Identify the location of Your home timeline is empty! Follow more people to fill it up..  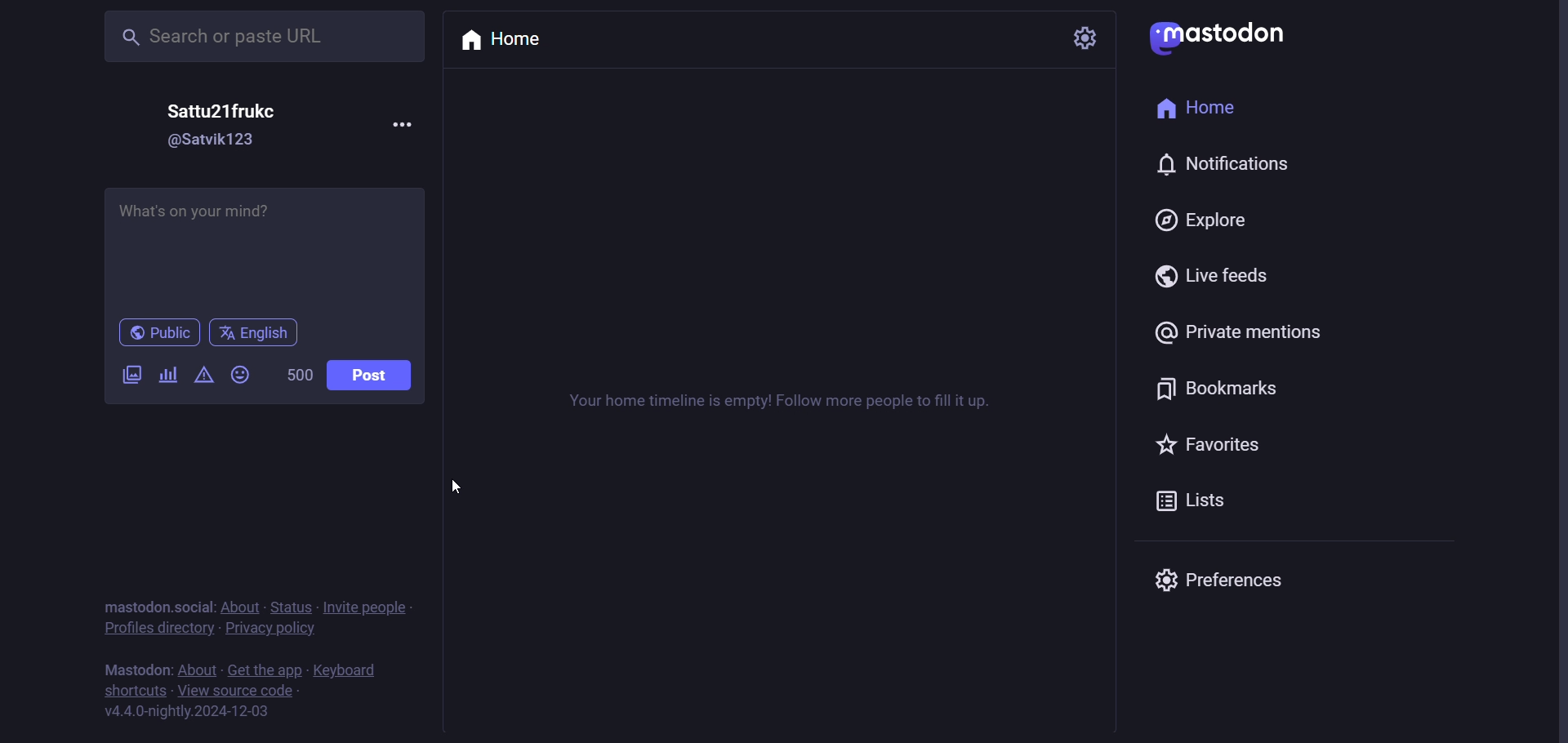
(795, 401).